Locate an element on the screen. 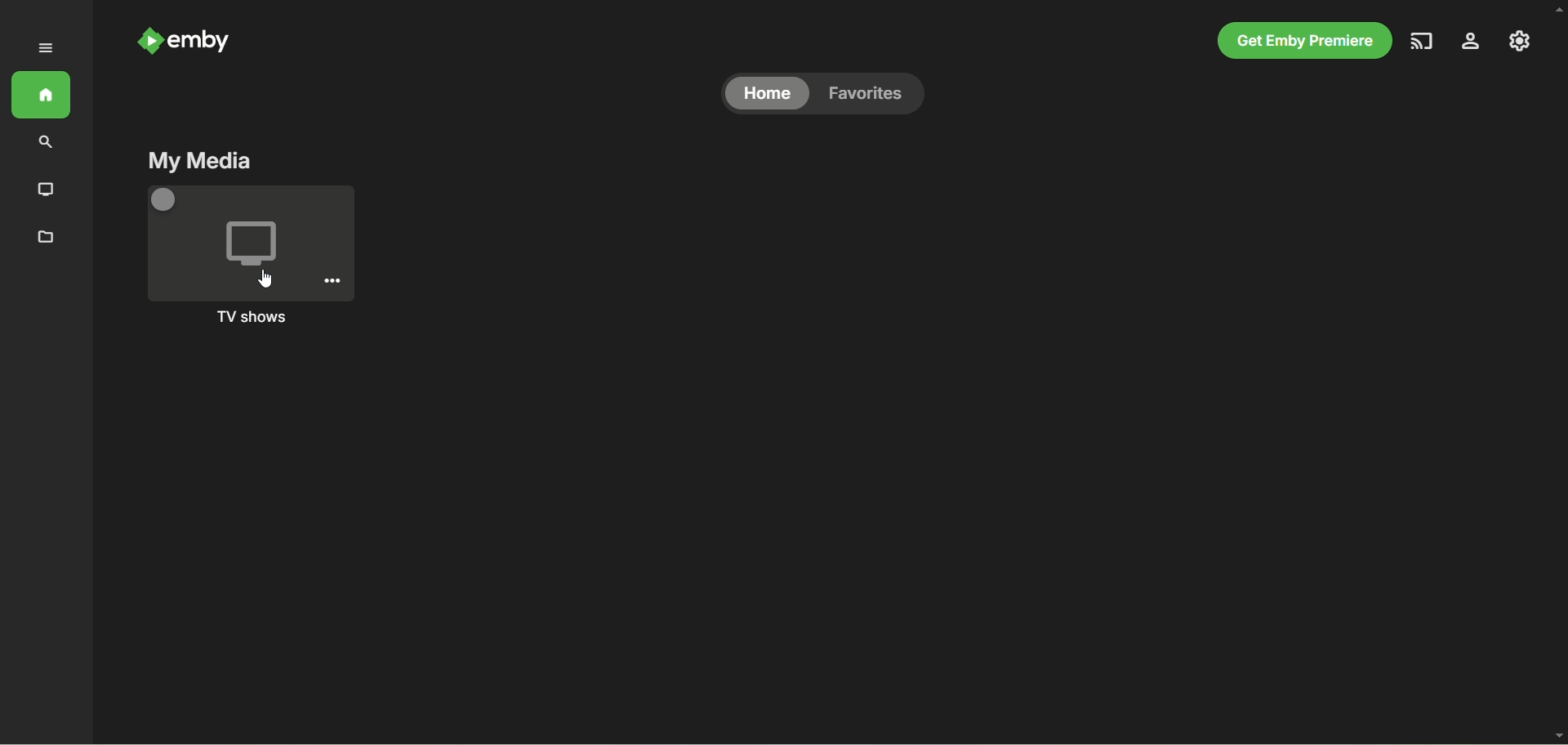  get emby premier is located at coordinates (1304, 41).